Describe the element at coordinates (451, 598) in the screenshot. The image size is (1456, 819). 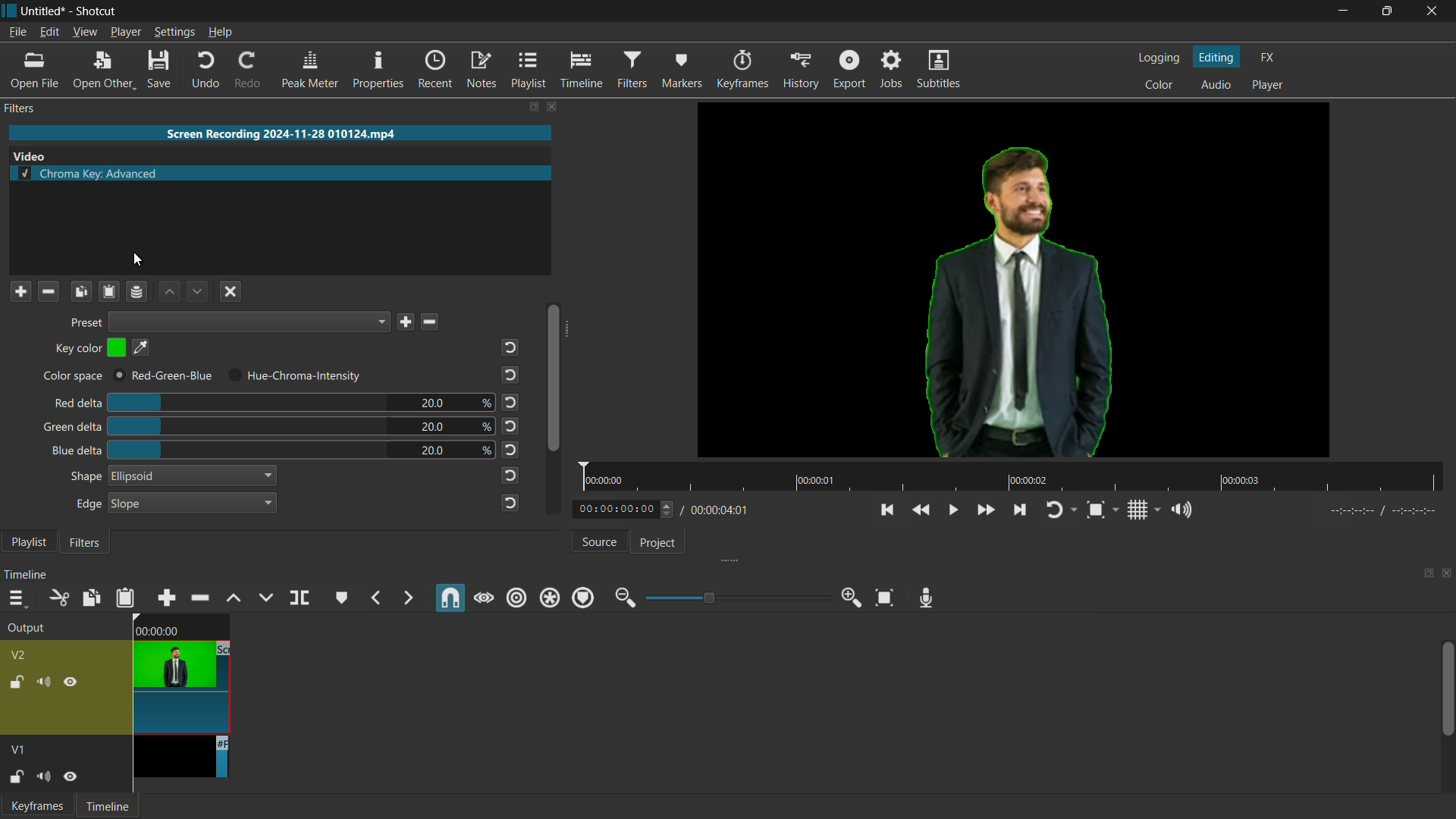
I see `snap` at that location.